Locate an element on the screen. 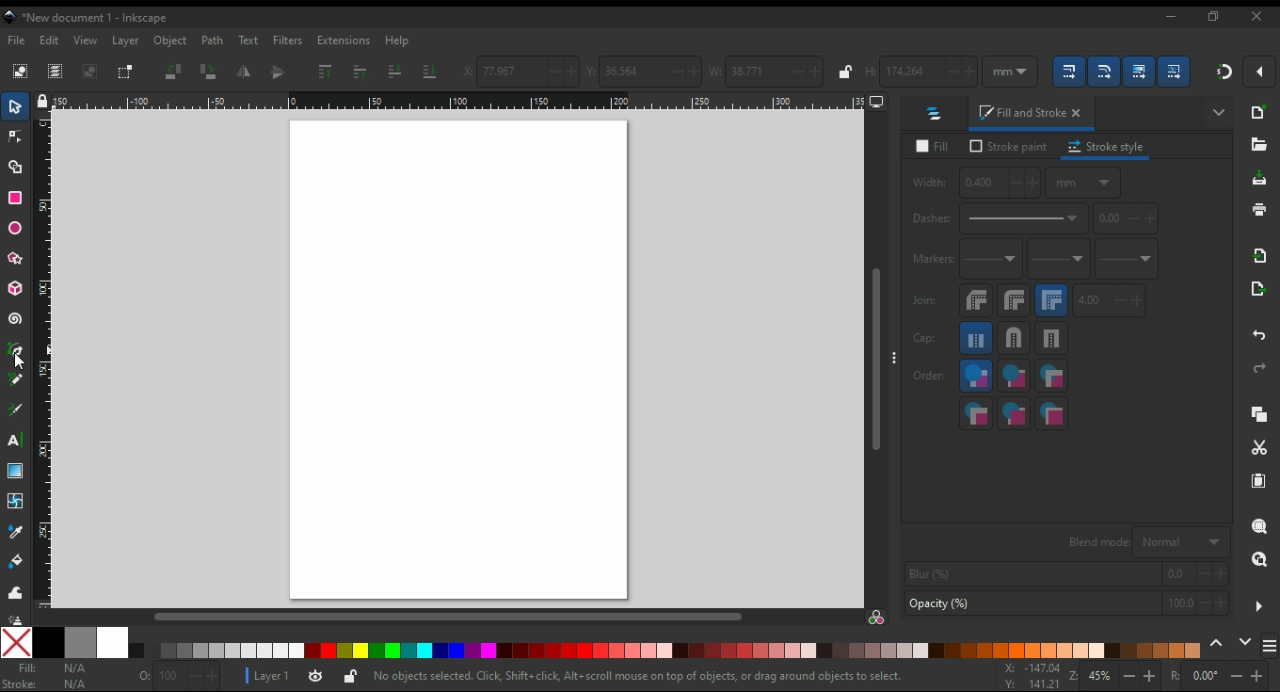 Image resolution: width=1280 pixels, height=692 pixels. When scaling rectangles,  is located at coordinates (1104, 72).